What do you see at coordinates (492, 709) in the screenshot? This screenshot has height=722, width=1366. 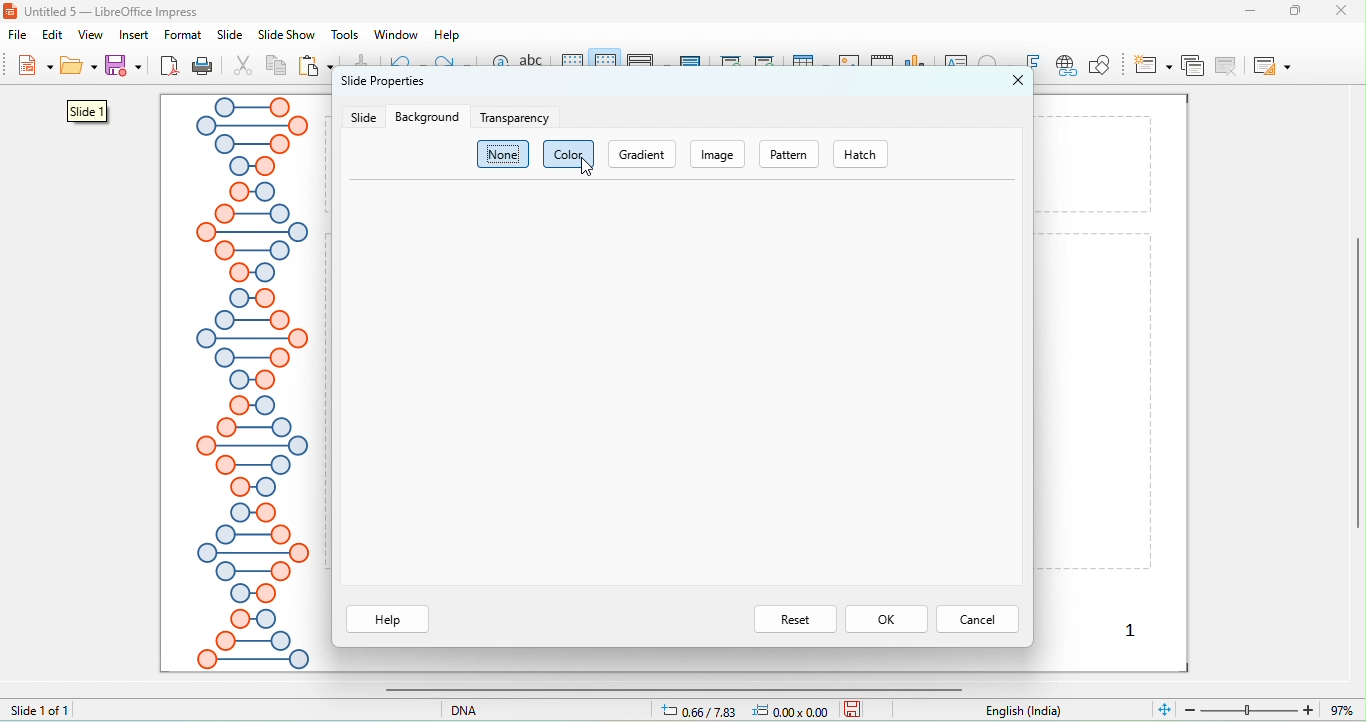 I see `DNA` at bounding box center [492, 709].